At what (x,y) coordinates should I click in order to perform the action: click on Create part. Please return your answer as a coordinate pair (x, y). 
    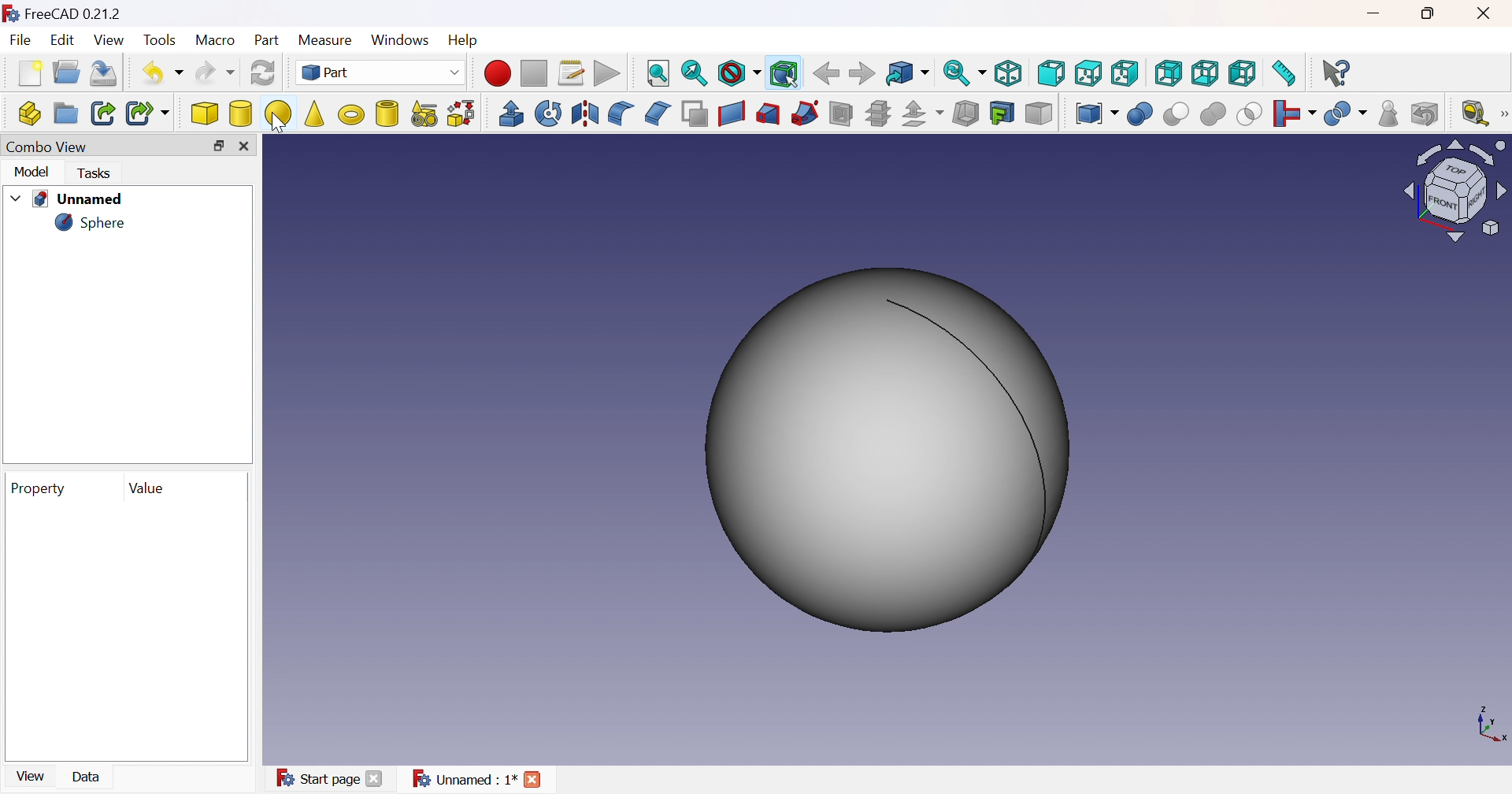
    Looking at the image, I should click on (29, 113).